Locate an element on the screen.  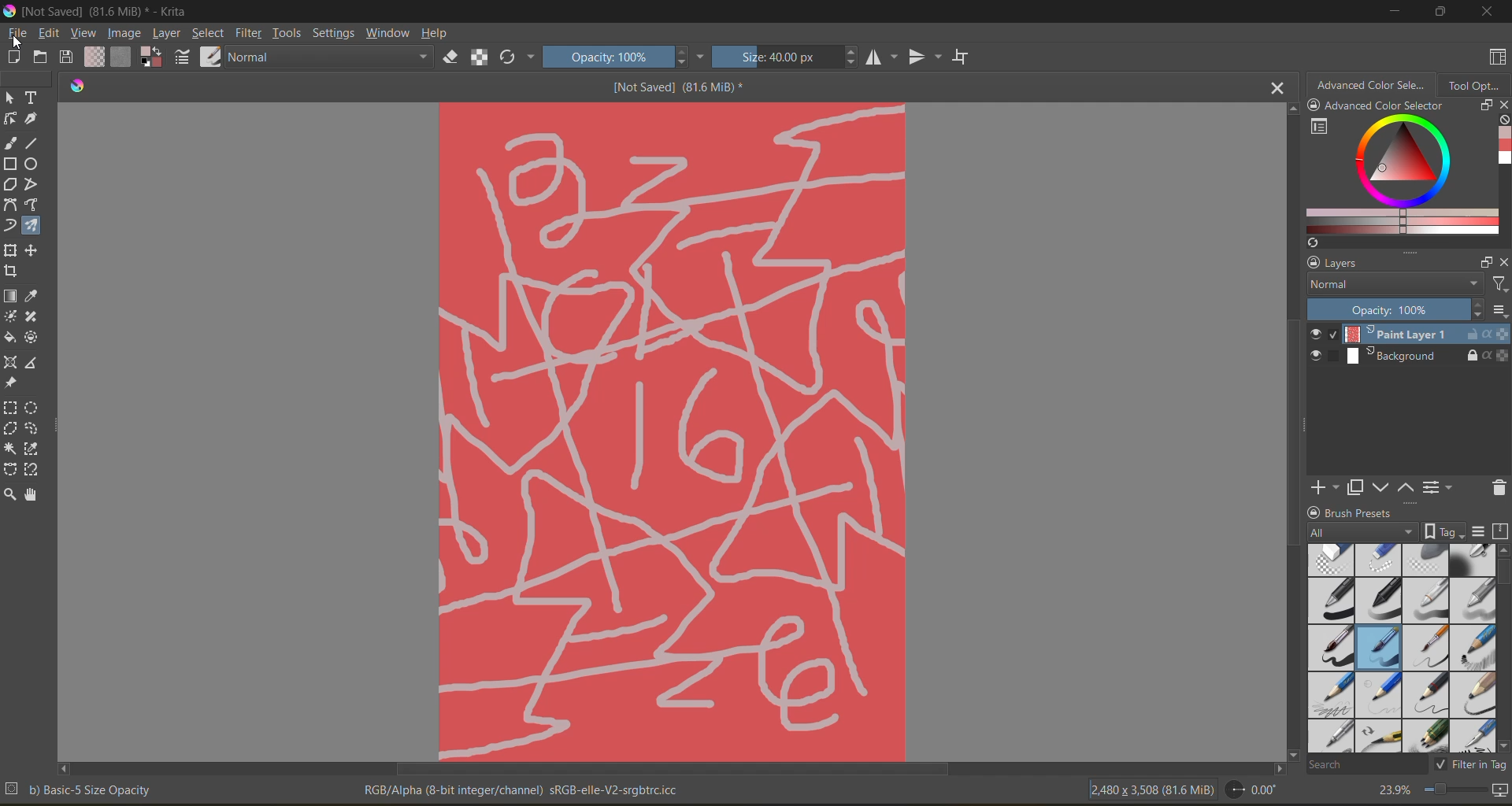
Brush presets is located at coordinates (1366, 511).